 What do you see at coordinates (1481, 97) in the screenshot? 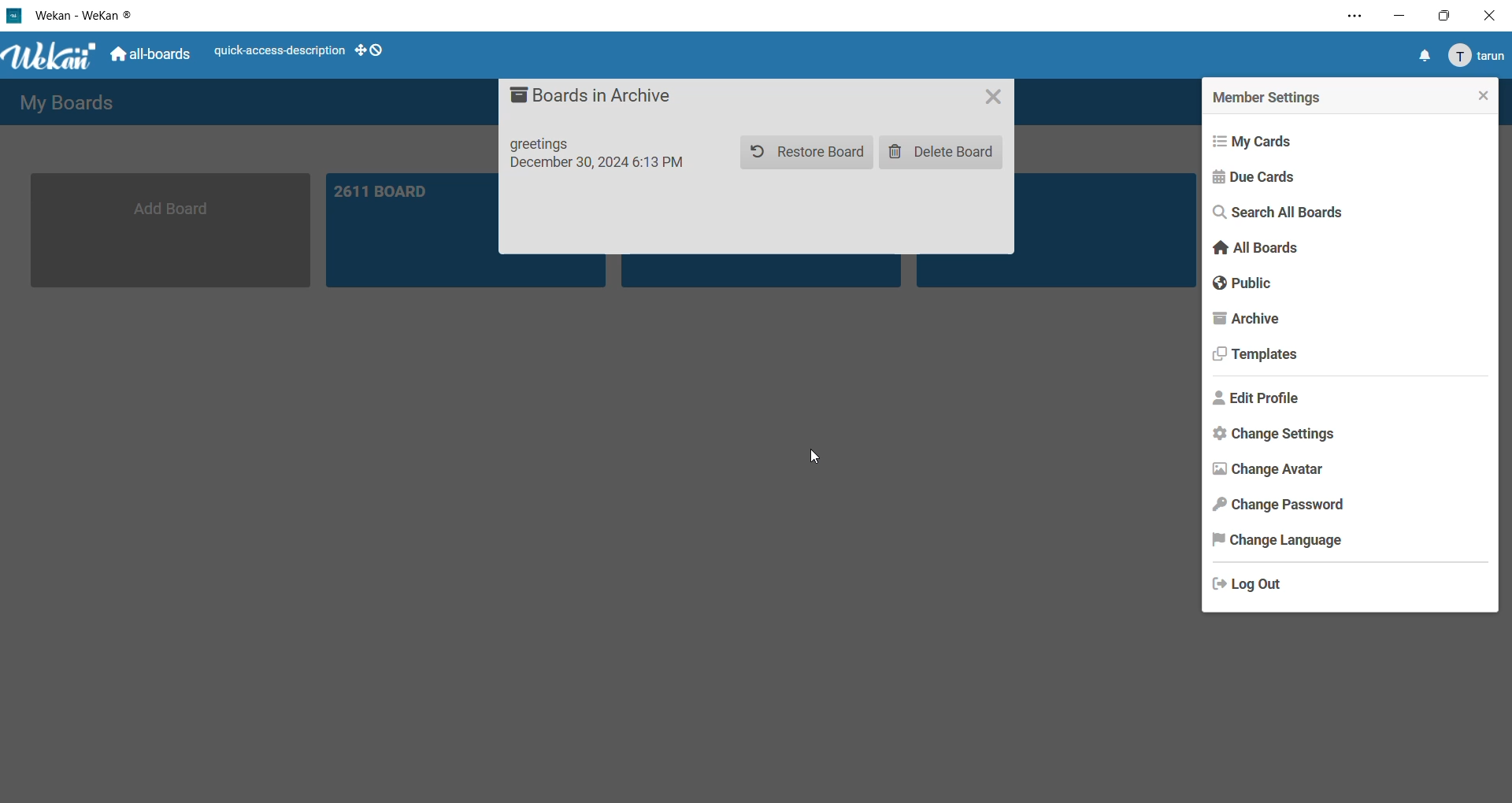
I see `close` at bounding box center [1481, 97].